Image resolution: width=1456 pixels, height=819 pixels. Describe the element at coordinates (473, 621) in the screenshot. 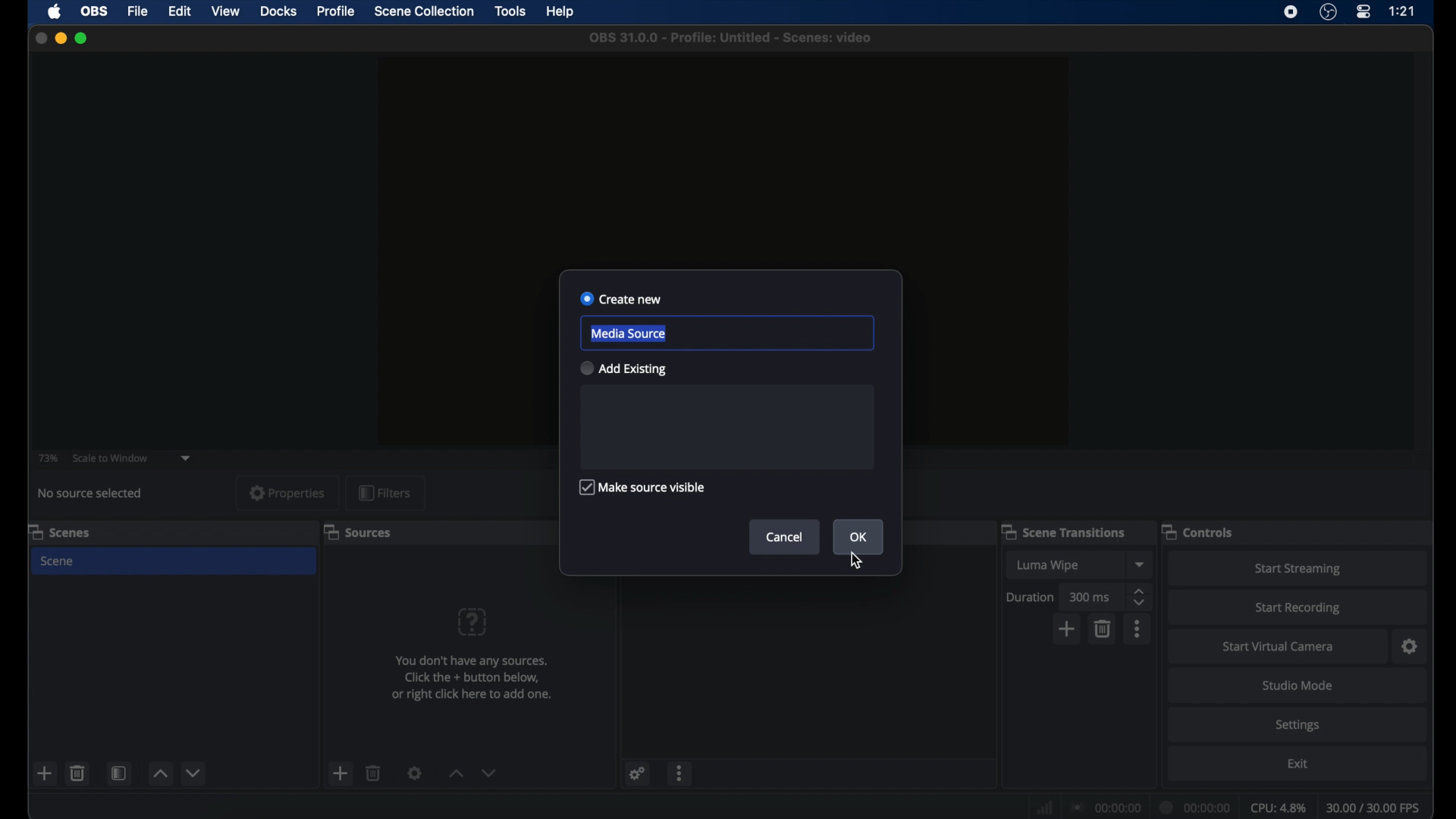

I see `question mark icon` at that location.